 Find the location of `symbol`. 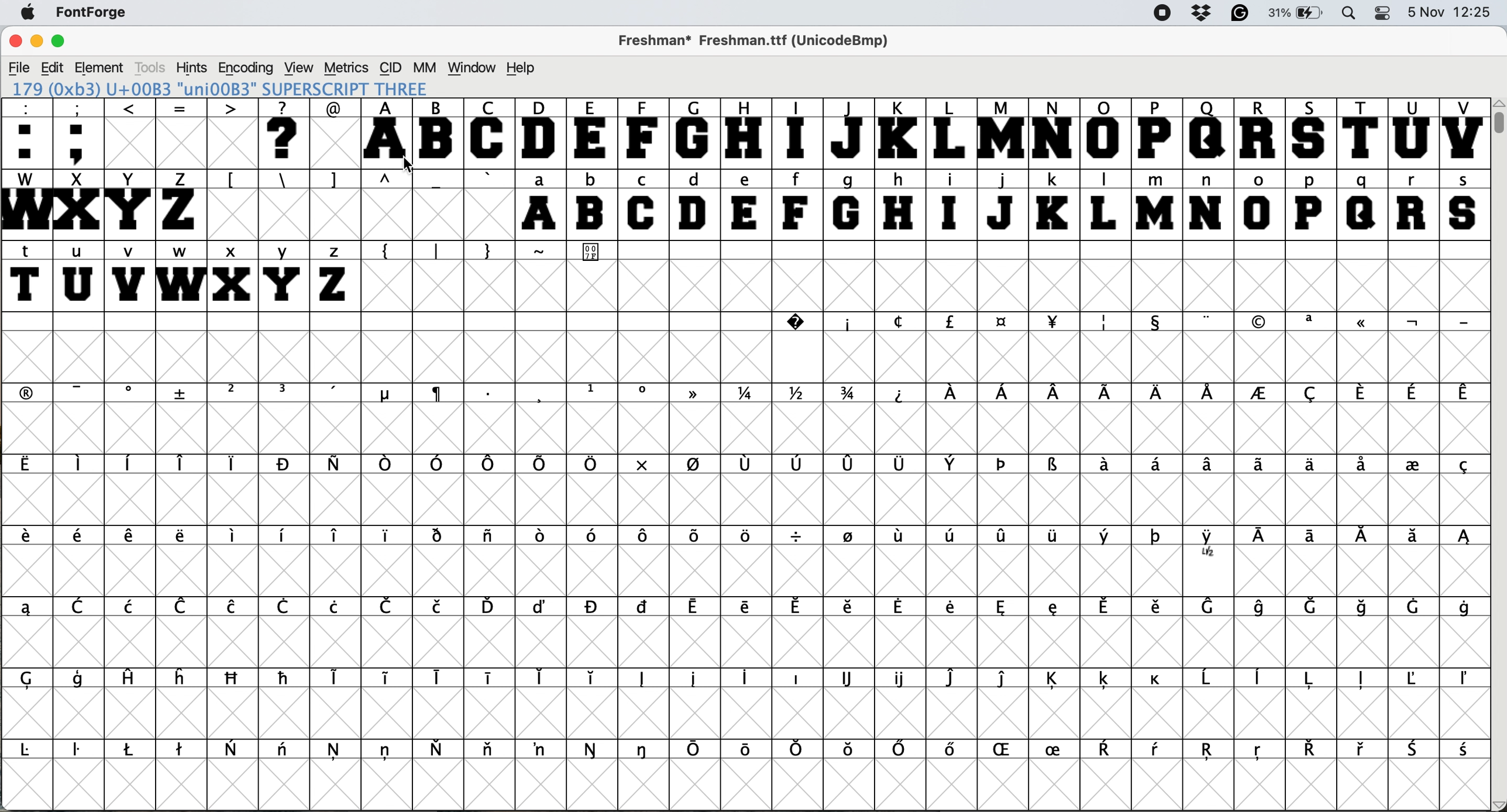

symbol is located at coordinates (1361, 679).